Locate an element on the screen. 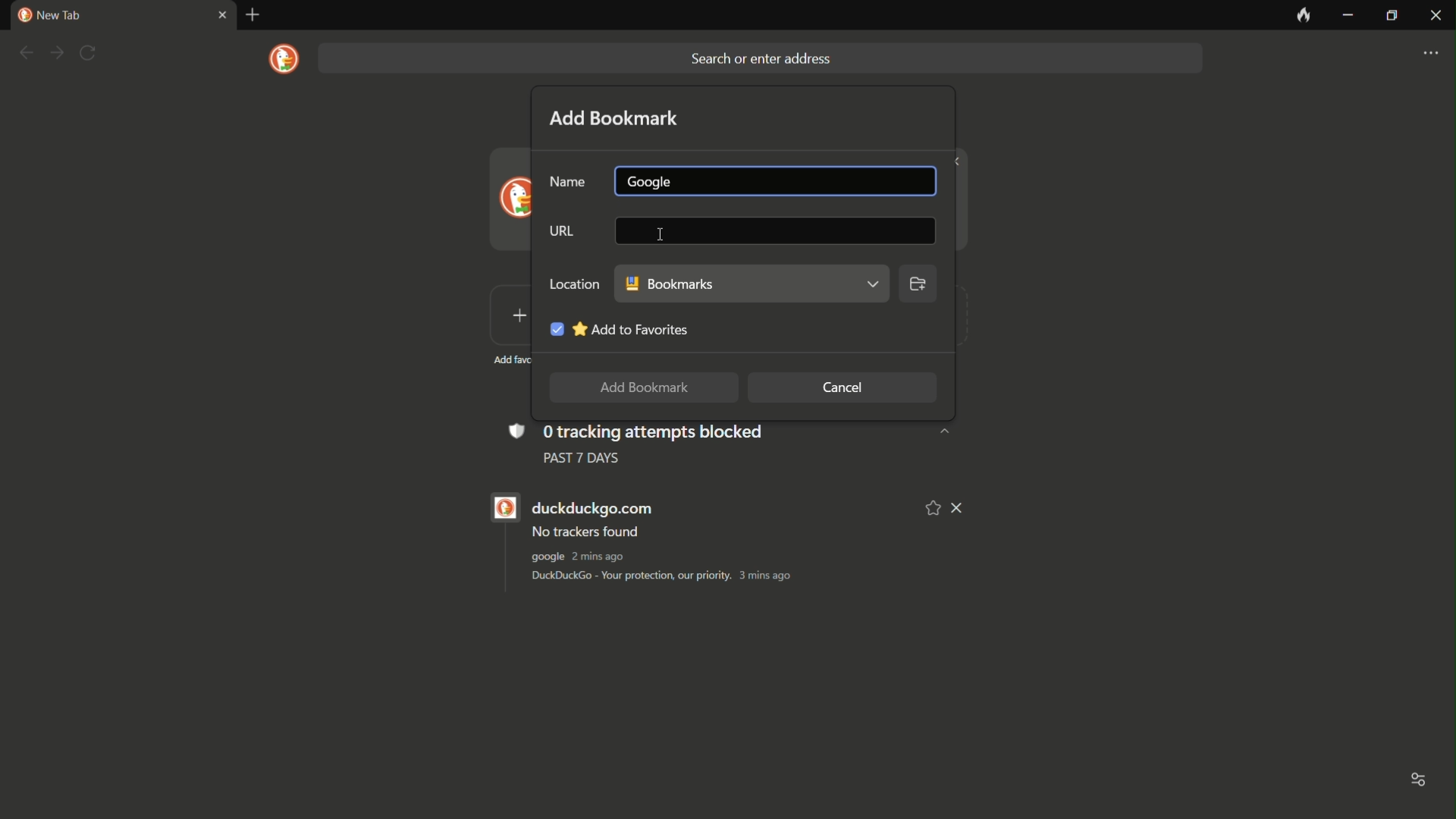 Image resolution: width=1456 pixels, height=819 pixels. minimize is located at coordinates (1348, 16).